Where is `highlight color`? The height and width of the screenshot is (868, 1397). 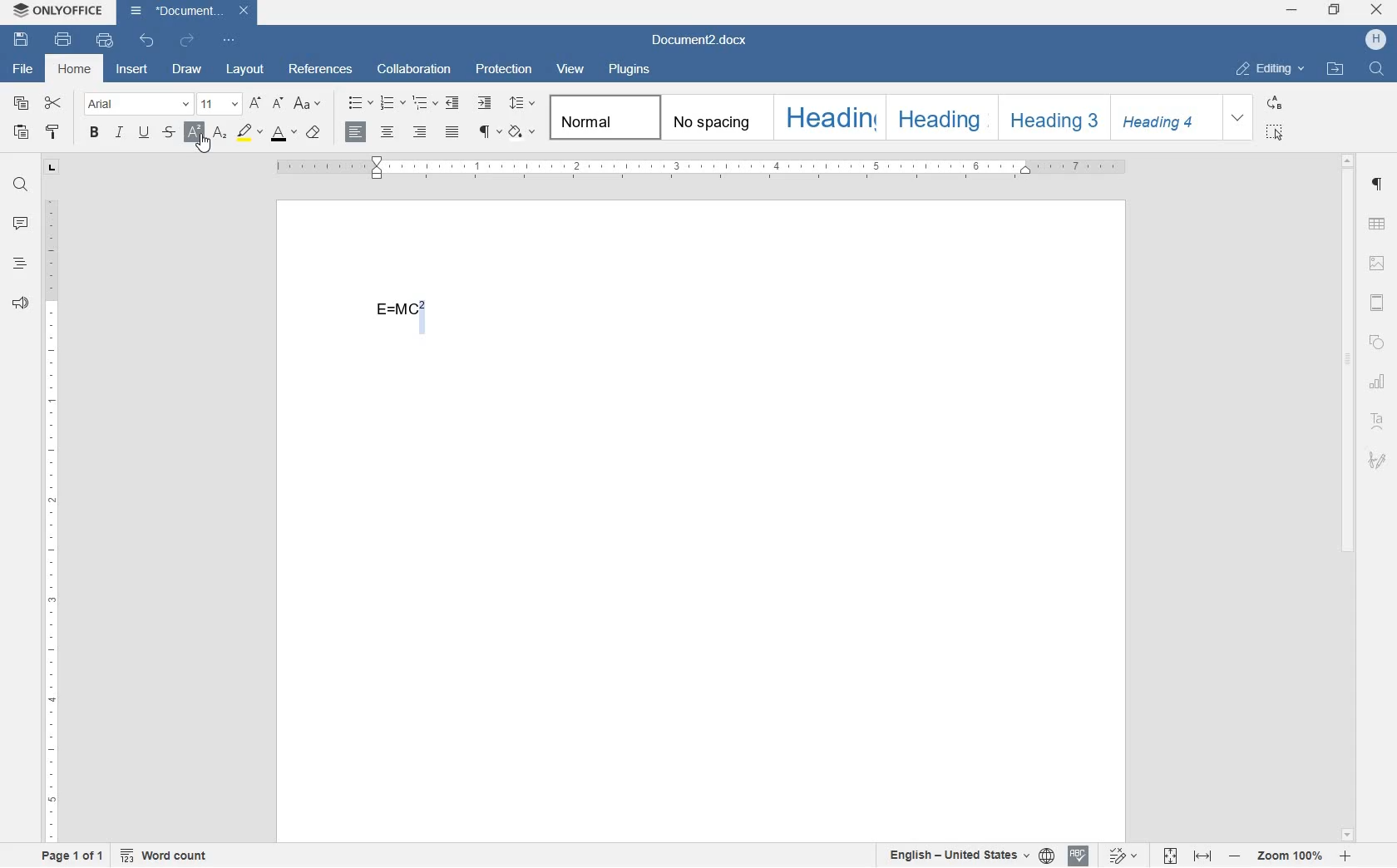 highlight color is located at coordinates (249, 133).